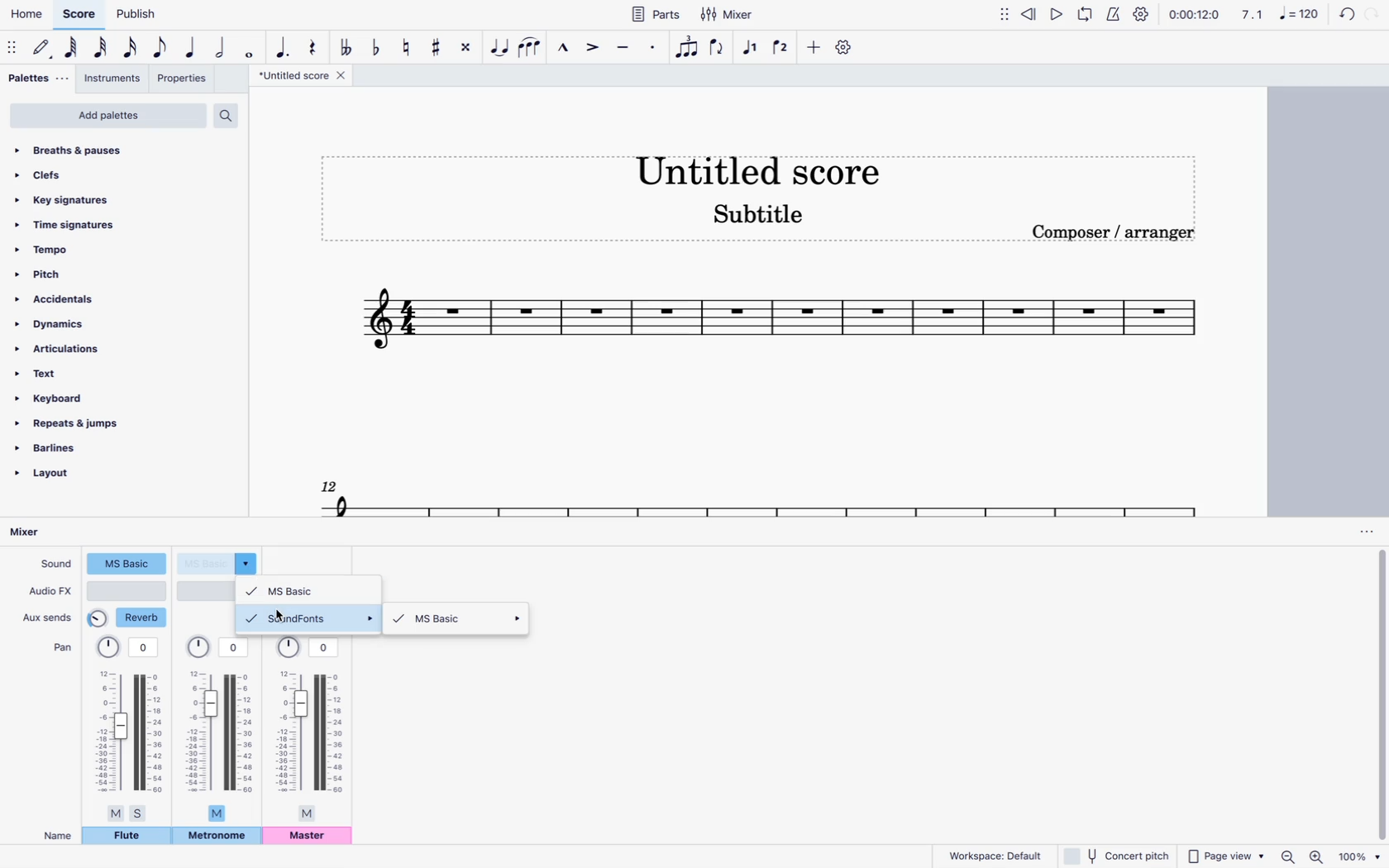 This screenshot has height=868, width=1389. Describe the element at coordinates (91, 298) in the screenshot. I see `accidentals` at that location.